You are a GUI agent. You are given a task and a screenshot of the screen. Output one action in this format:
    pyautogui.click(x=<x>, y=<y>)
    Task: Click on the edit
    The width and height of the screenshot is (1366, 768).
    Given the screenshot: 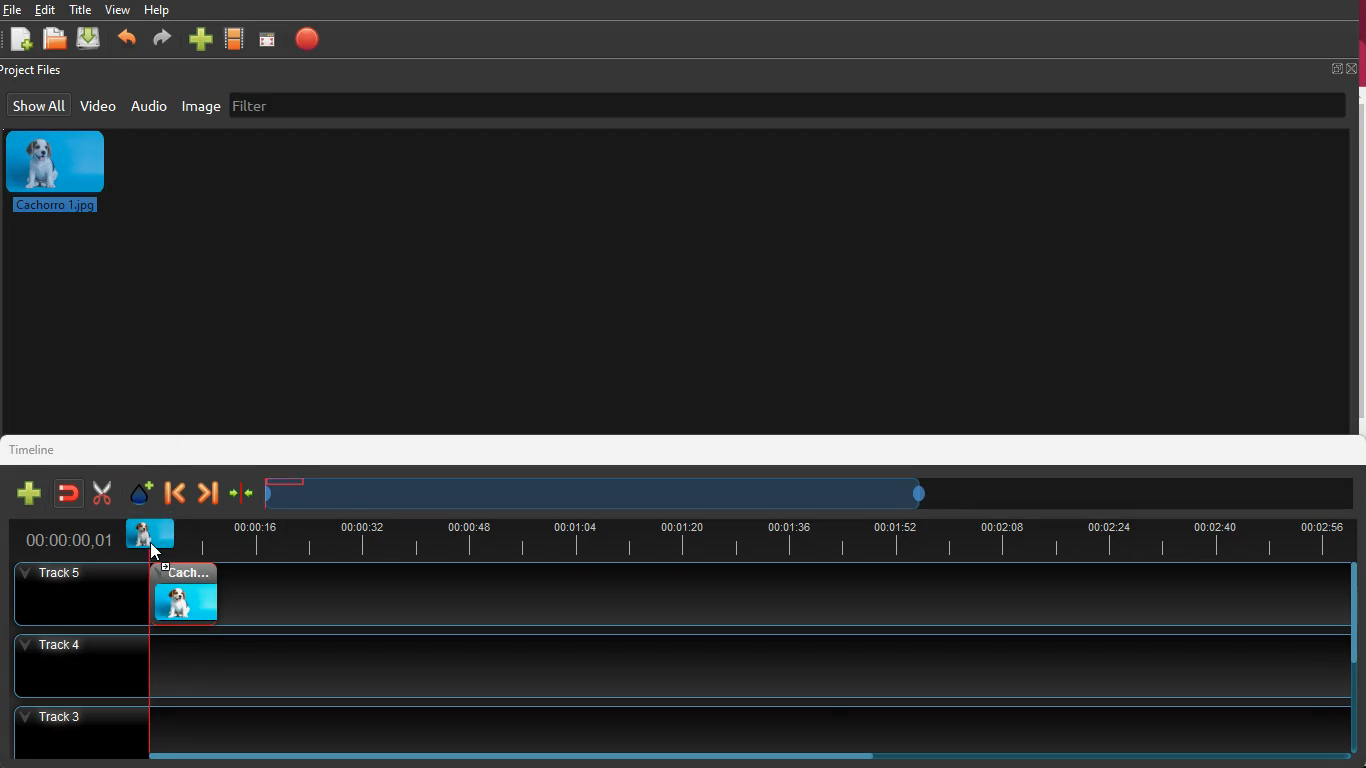 What is the action you would take?
    pyautogui.click(x=45, y=10)
    